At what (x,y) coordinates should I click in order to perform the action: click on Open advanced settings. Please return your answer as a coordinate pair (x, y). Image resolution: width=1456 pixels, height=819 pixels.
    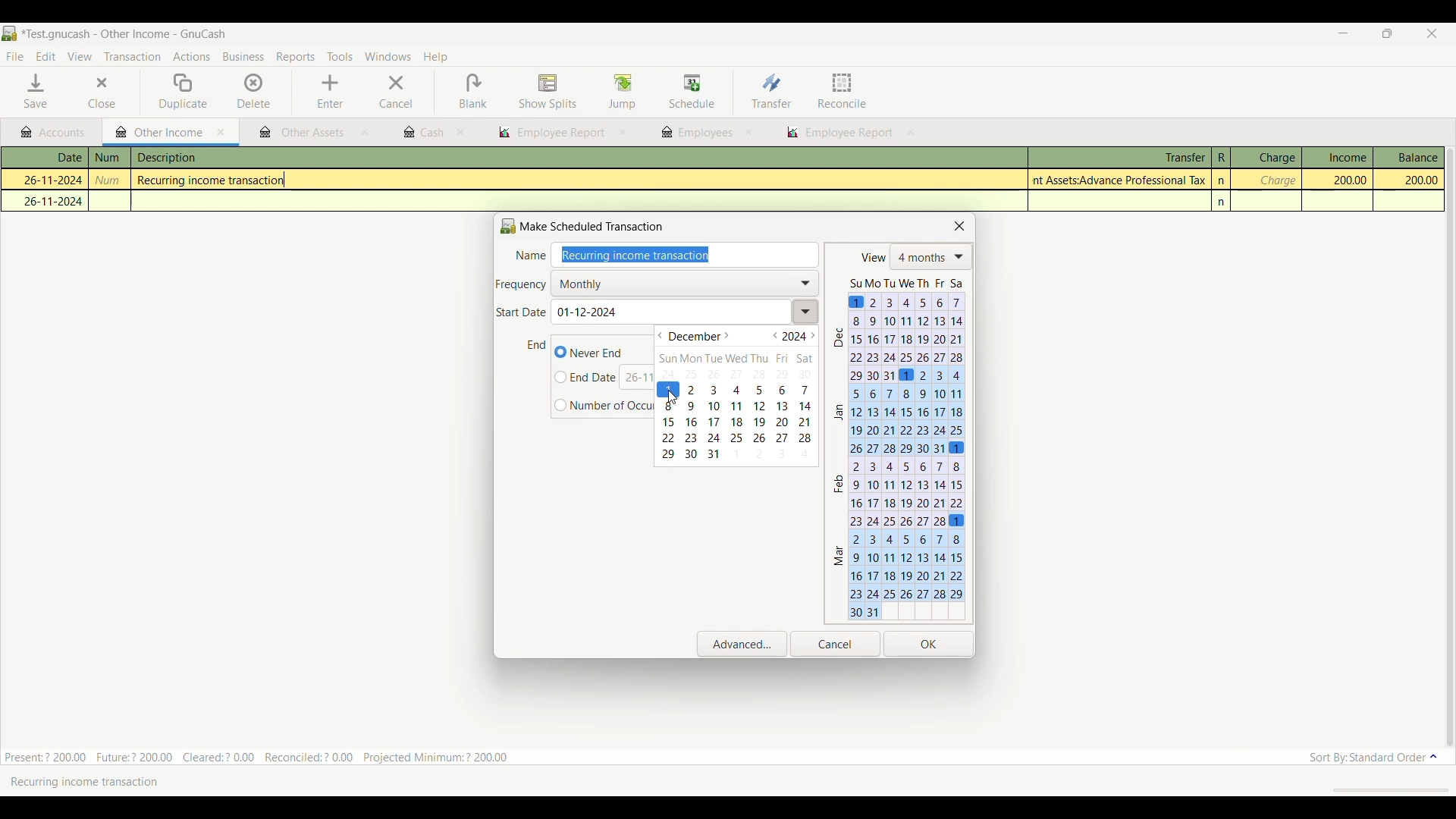
    Looking at the image, I should click on (742, 644).